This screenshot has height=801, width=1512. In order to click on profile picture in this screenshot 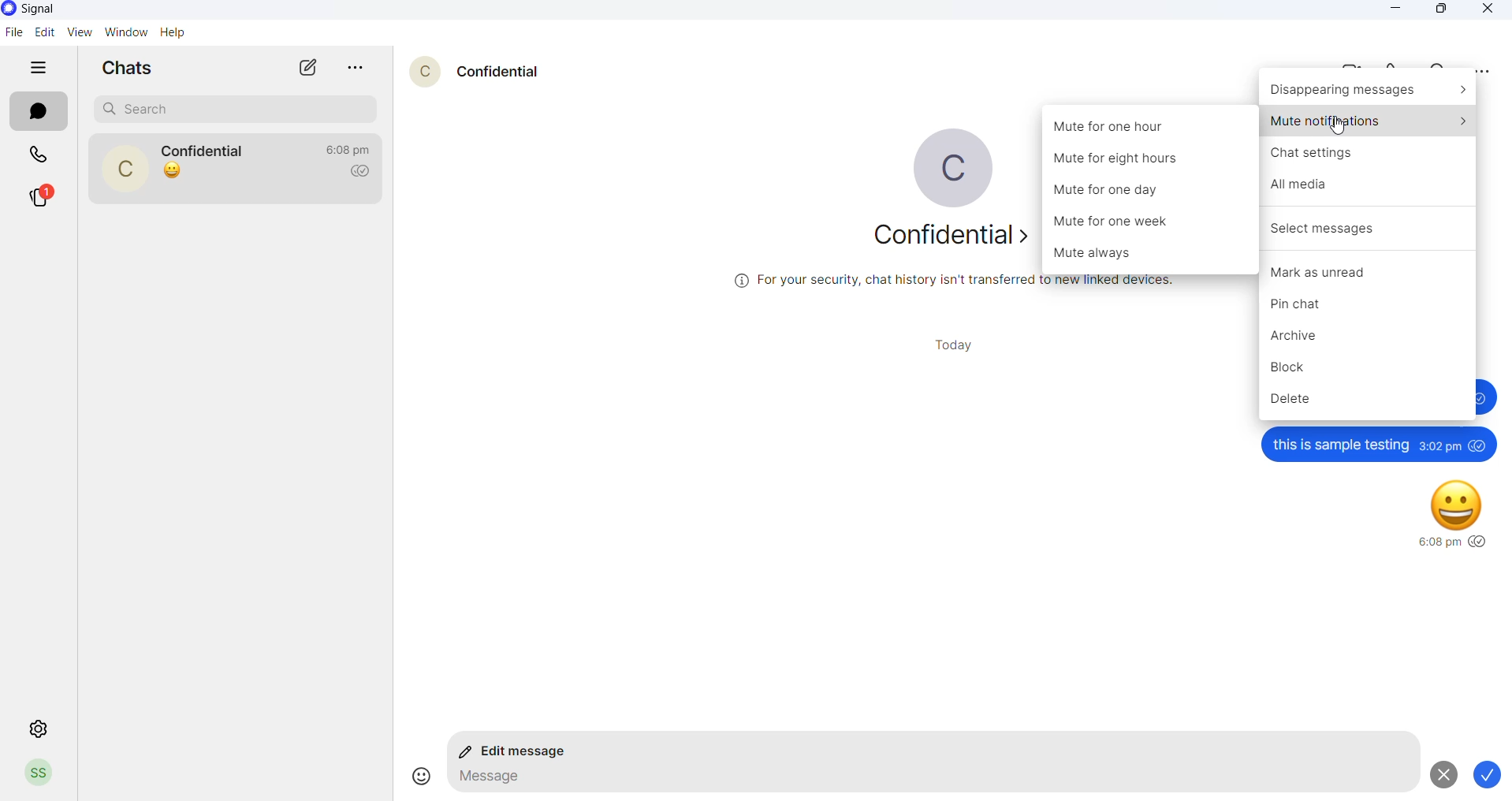, I will do `click(942, 170)`.